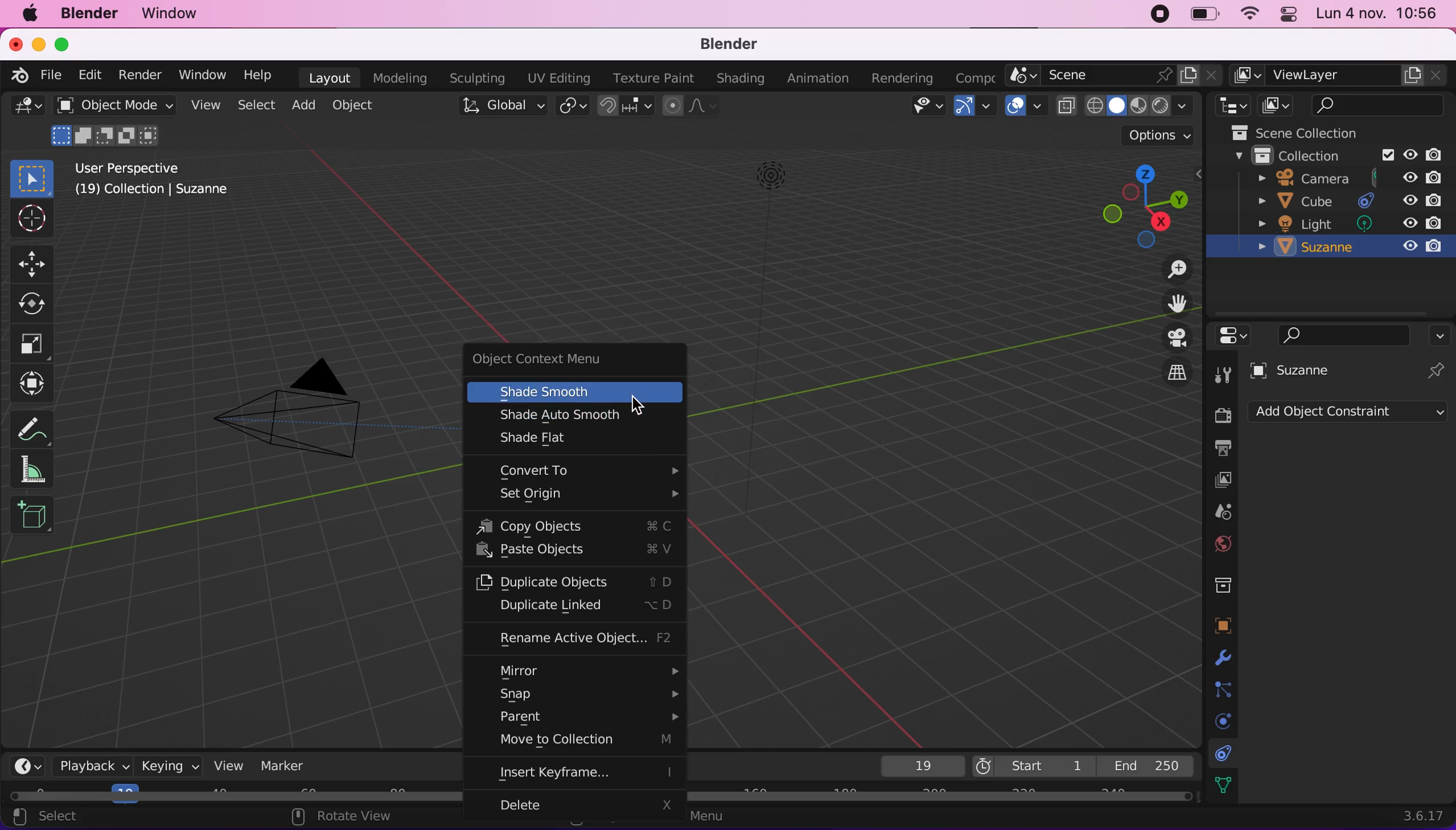 The image size is (1456, 830). What do you see at coordinates (1245, 75) in the screenshot?
I see `active workspace` at bounding box center [1245, 75].